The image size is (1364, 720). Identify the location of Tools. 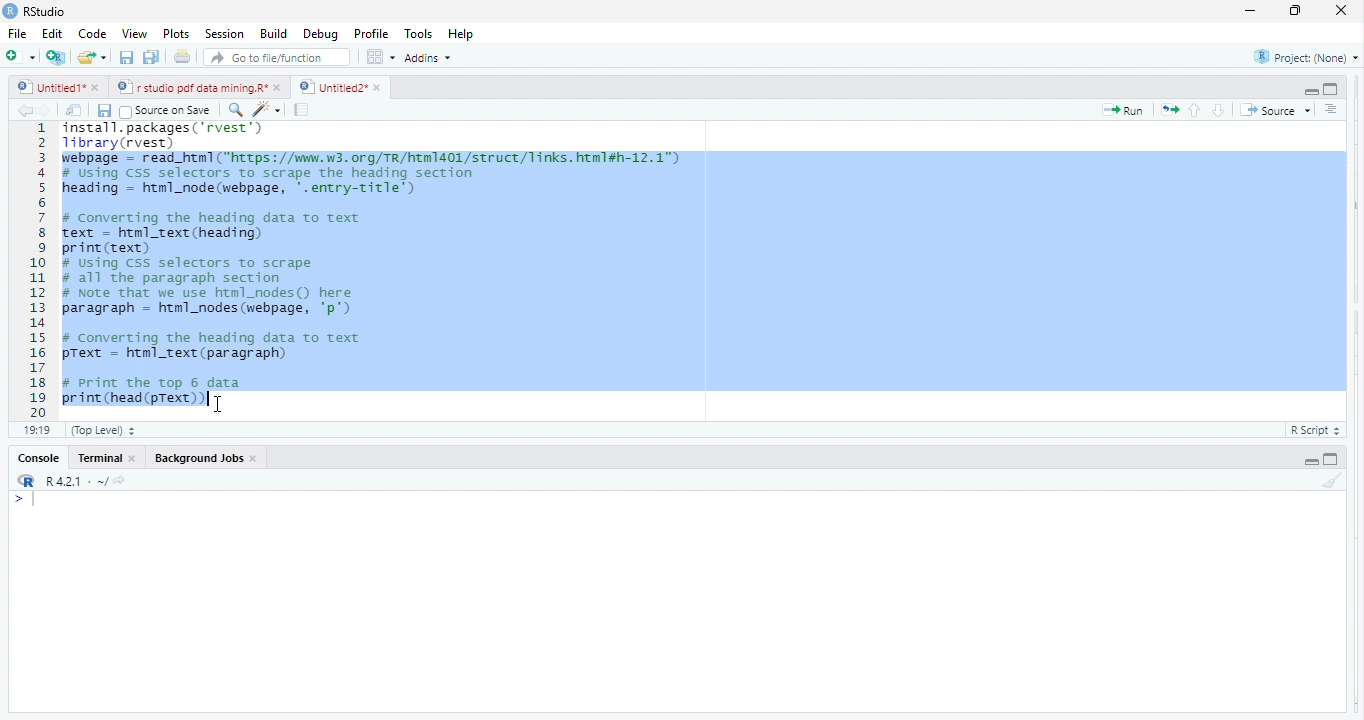
(420, 33).